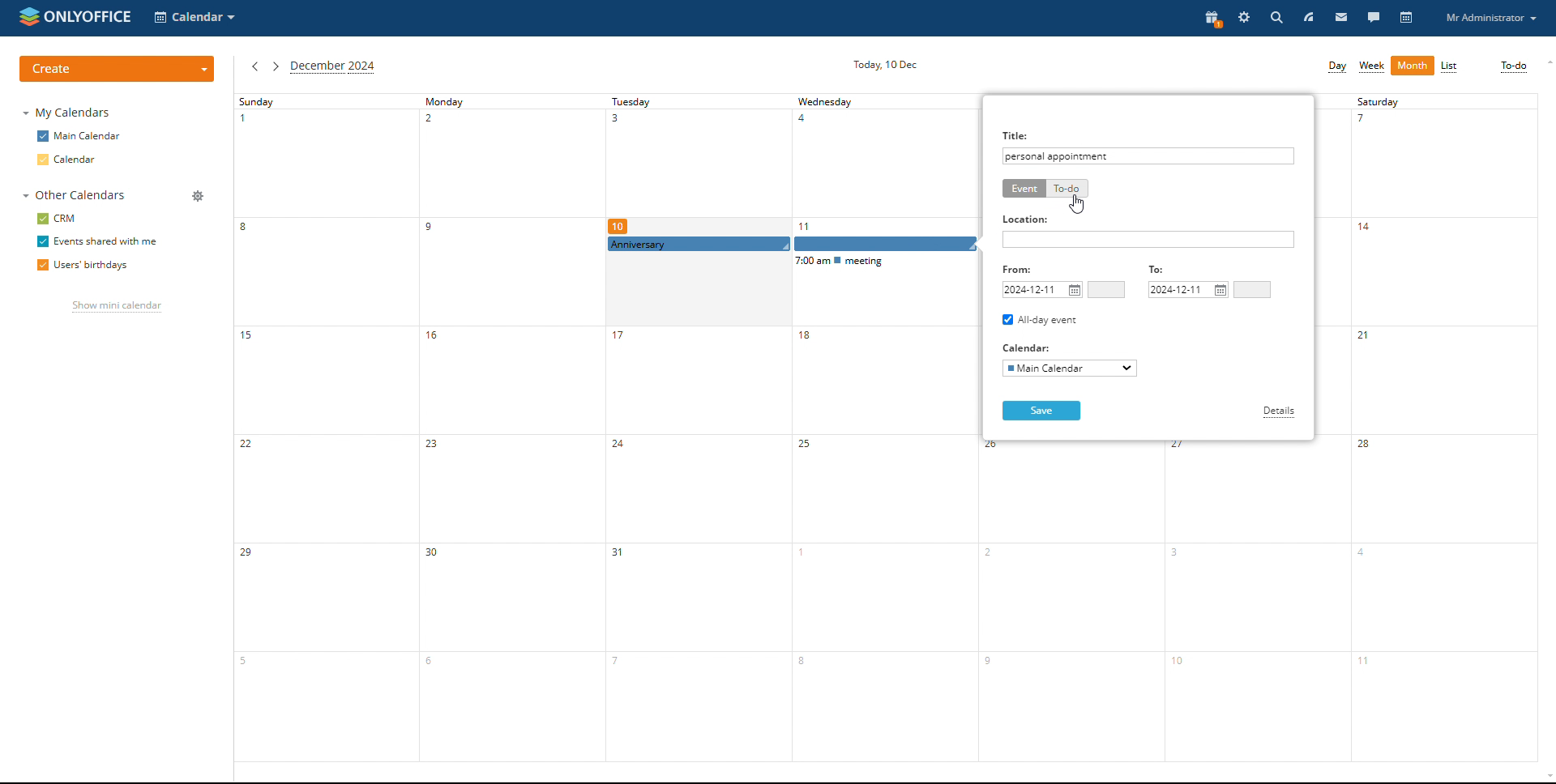 The width and height of the screenshot is (1556, 784). What do you see at coordinates (254, 66) in the screenshot?
I see `previous month` at bounding box center [254, 66].